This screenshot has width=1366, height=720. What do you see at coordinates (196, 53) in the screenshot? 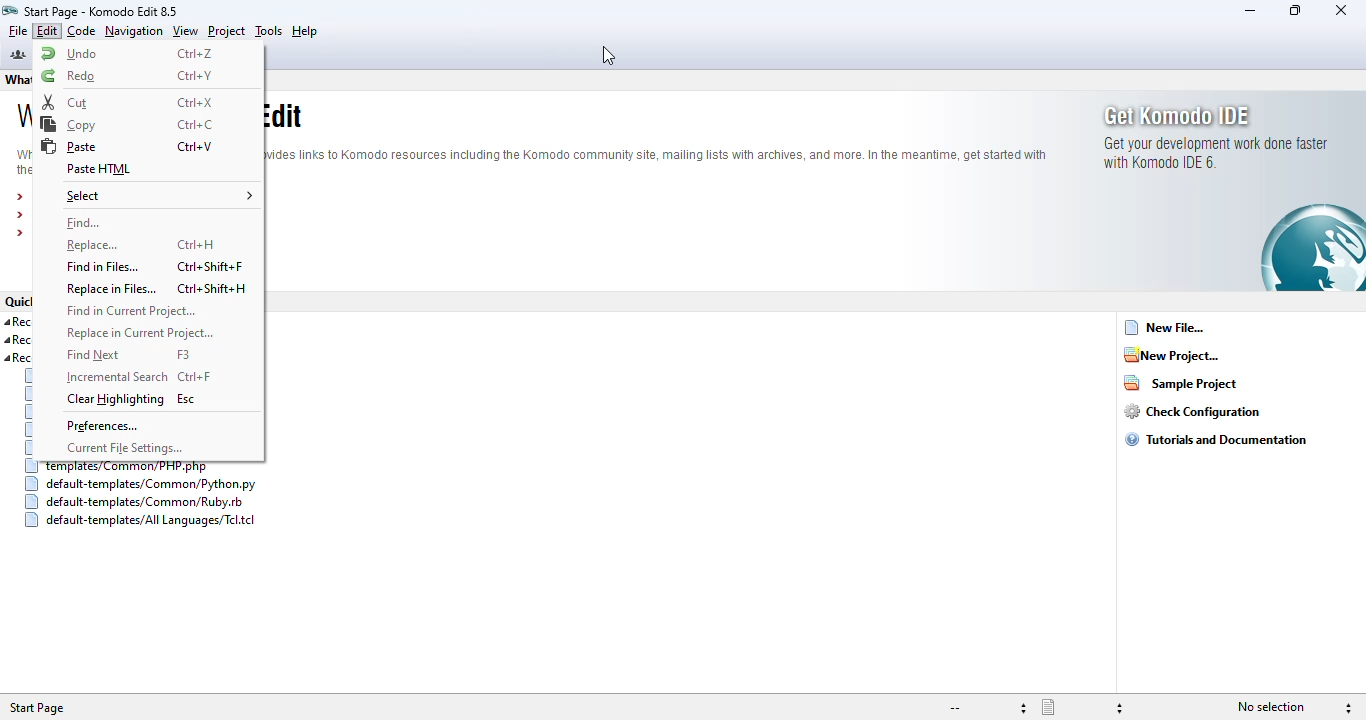
I see `shortcut for undo` at bounding box center [196, 53].